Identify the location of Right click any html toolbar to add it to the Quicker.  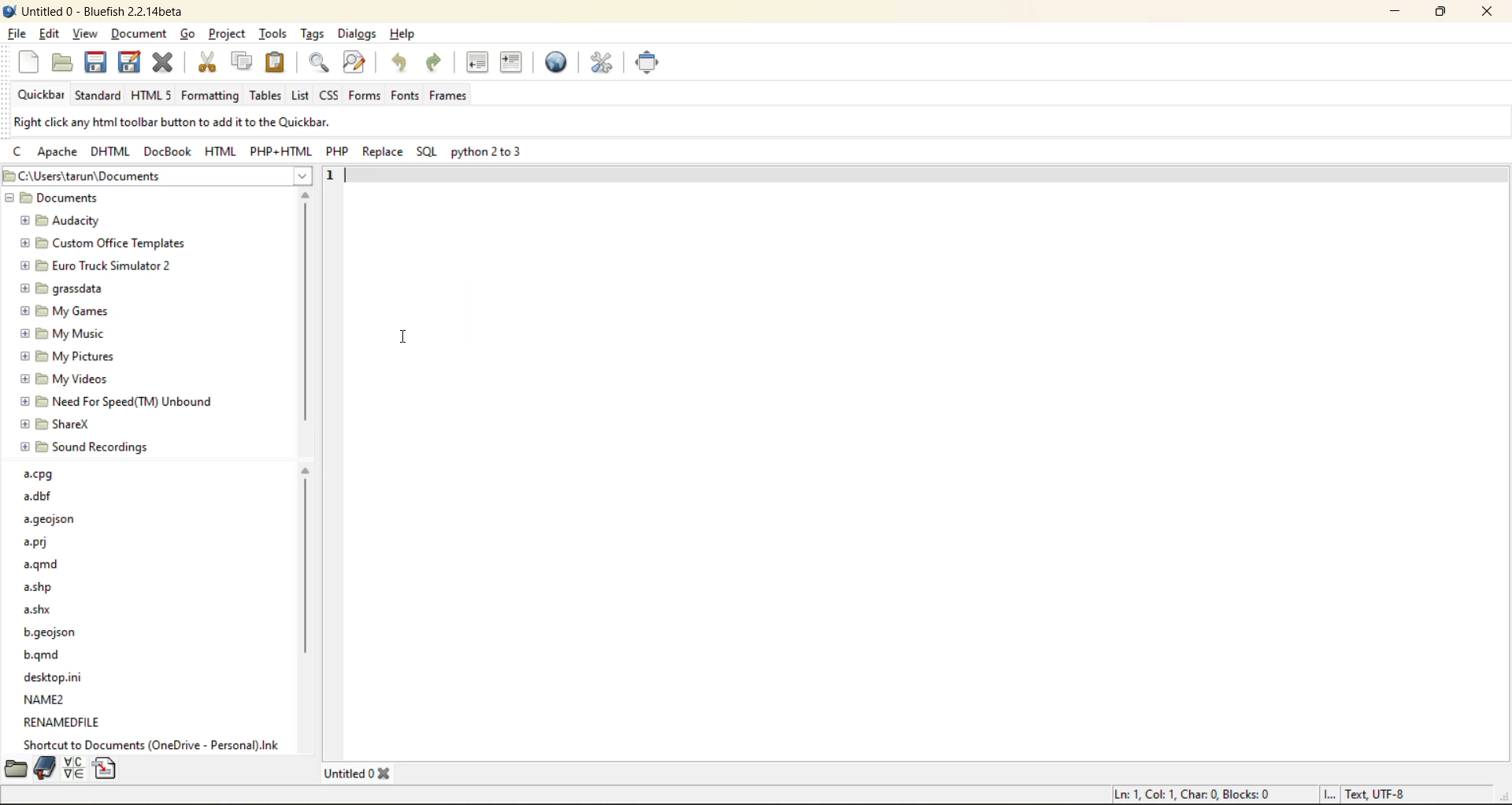
(174, 121).